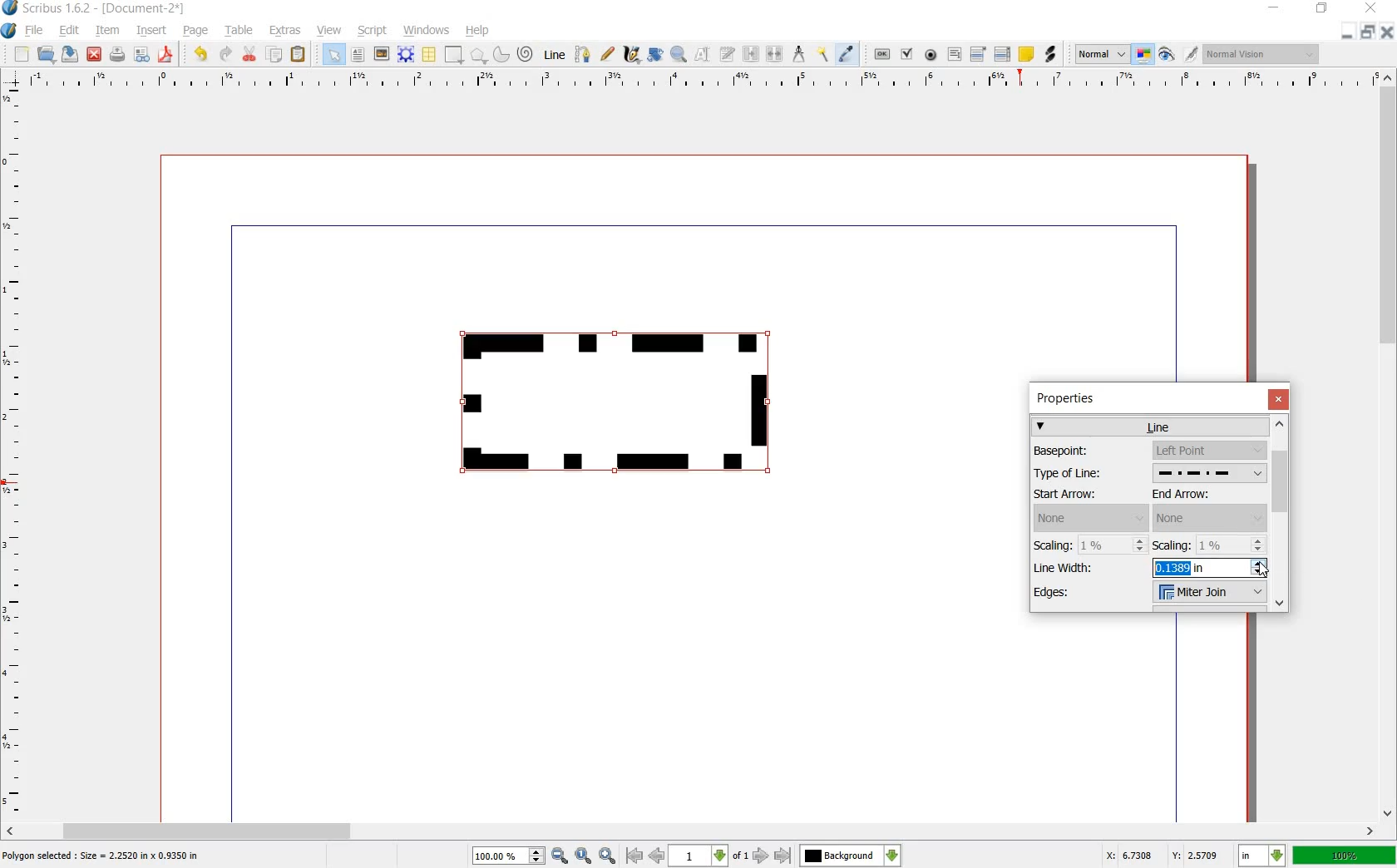 This screenshot has width=1397, height=868. Describe the element at coordinates (1074, 594) in the screenshot. I see `Edges:` at that location.